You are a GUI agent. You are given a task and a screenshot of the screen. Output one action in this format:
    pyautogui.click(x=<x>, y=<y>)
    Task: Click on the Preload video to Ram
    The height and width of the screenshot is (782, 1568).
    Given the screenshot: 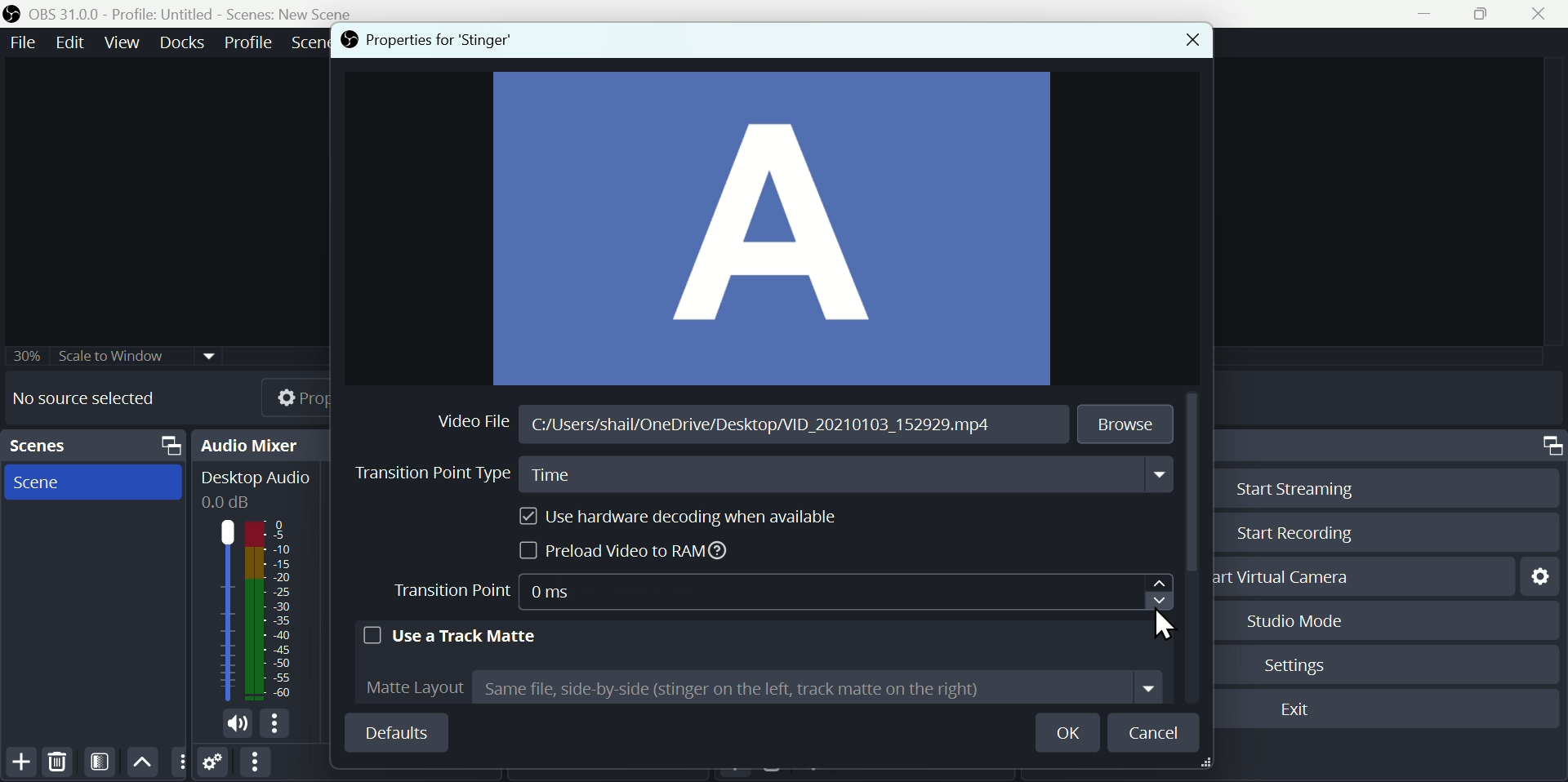 What is the action you would take?
    pyautogui.click(x=630, y=553)
    